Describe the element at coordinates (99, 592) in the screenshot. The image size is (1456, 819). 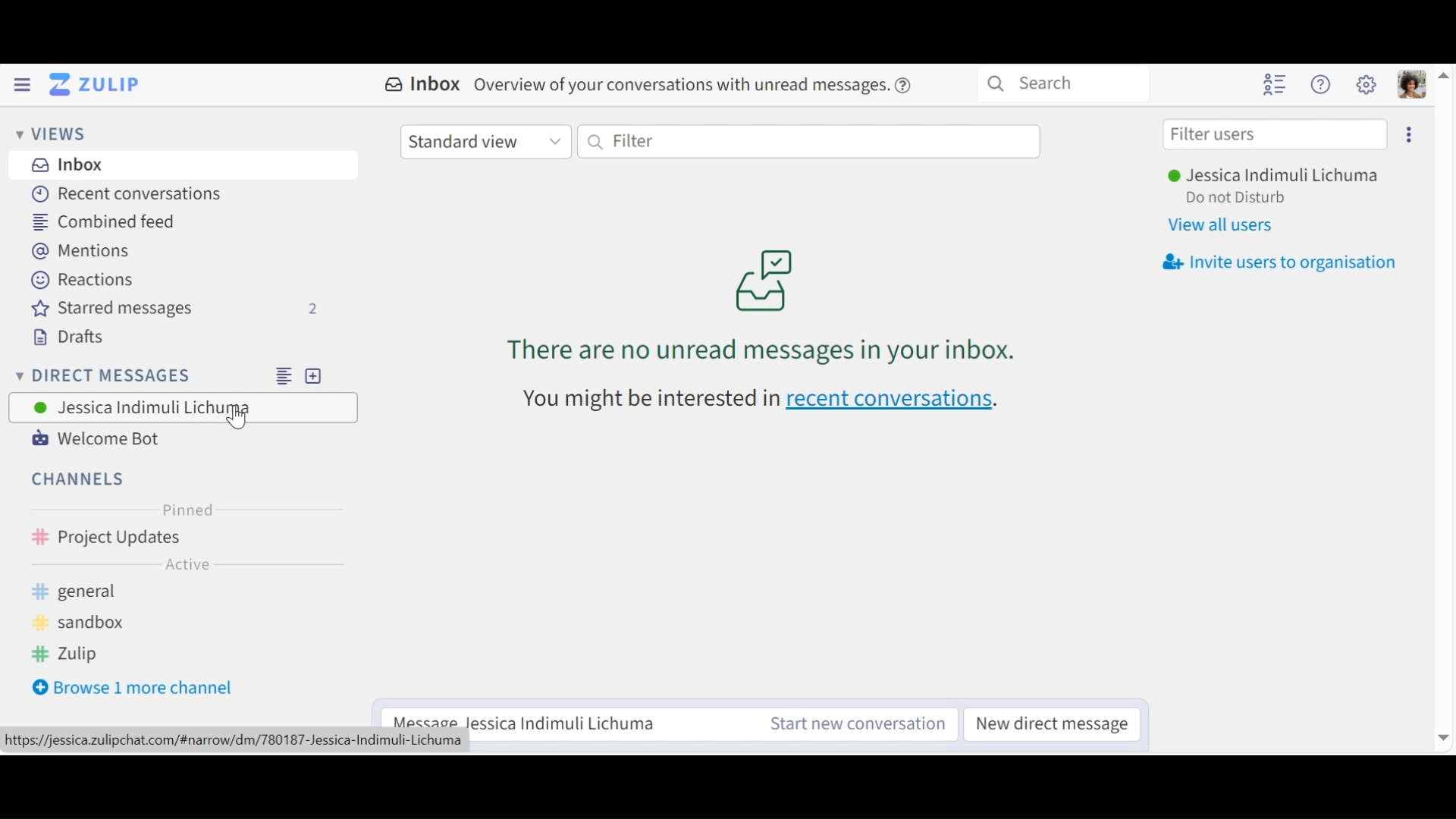
I see `general` at that location.